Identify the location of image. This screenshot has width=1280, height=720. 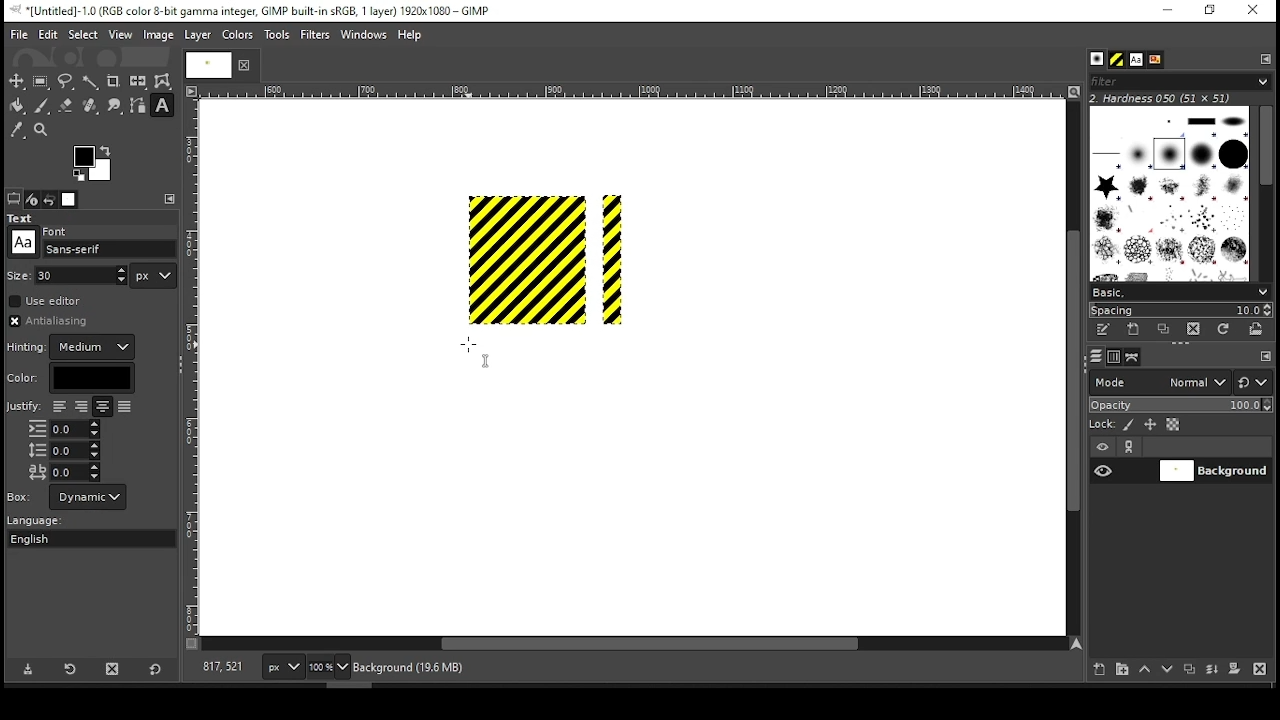
(157, 35).